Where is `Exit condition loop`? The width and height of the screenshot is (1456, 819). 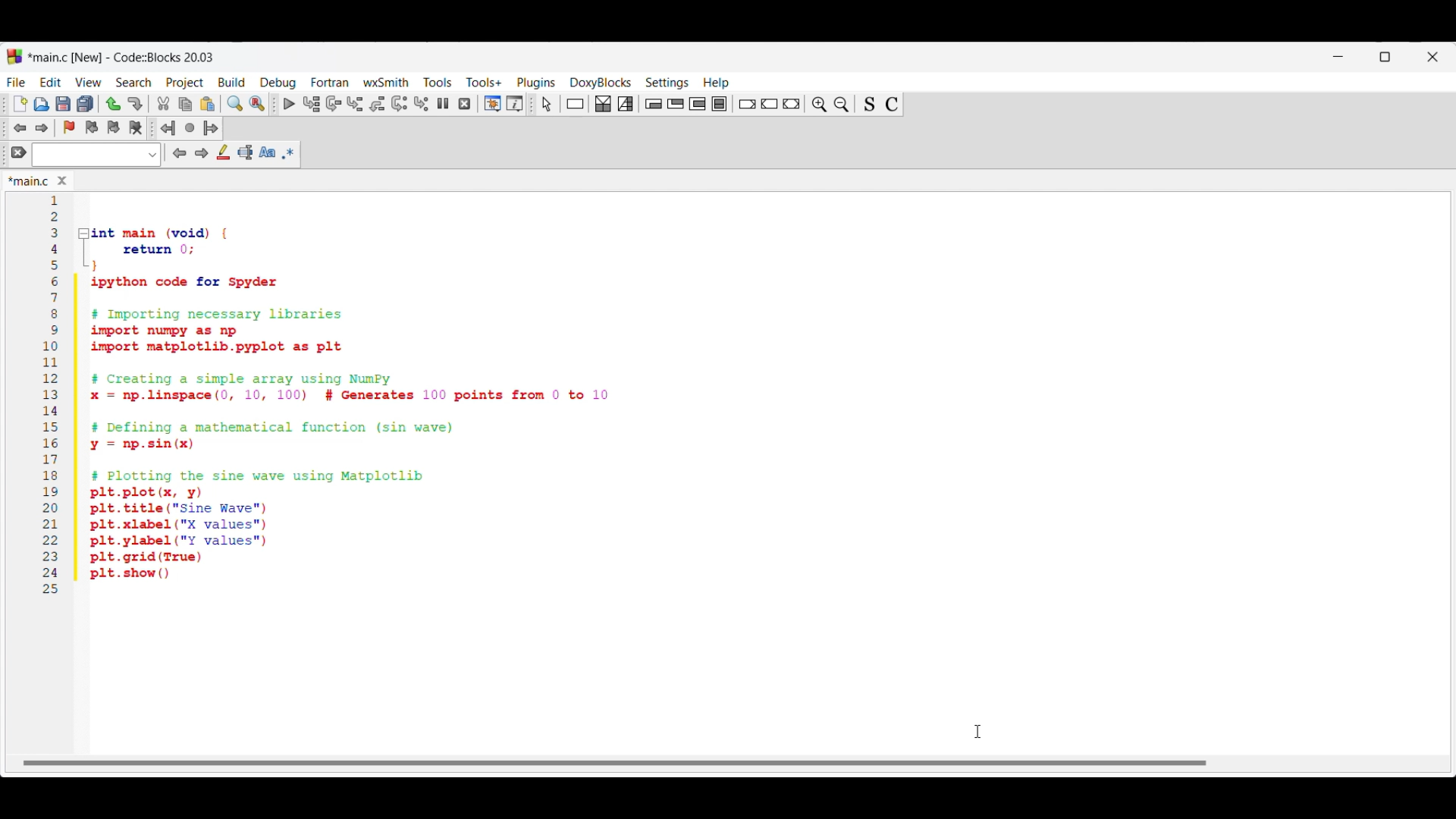 Exit condition loop is located at coordinates (676, 103).